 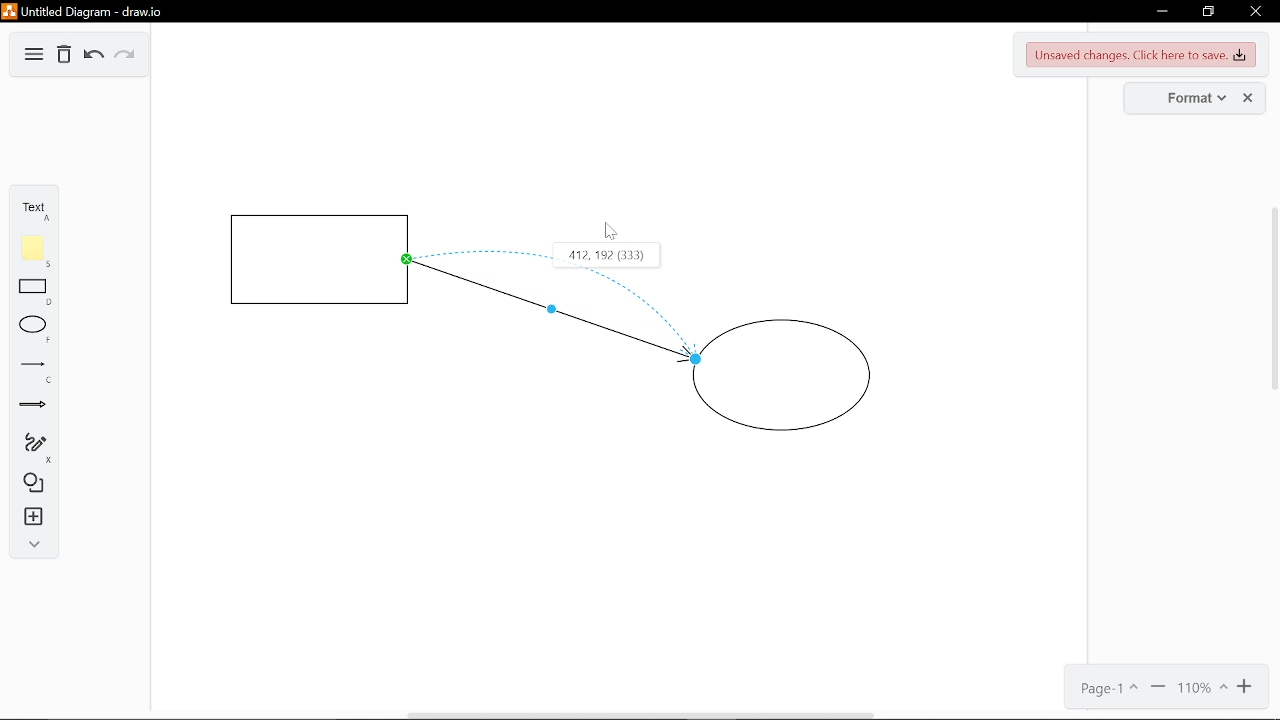 What do you see at coordinates (92, 57) in the screenshot?
I see `Undo` at bounding box center [92, 57].